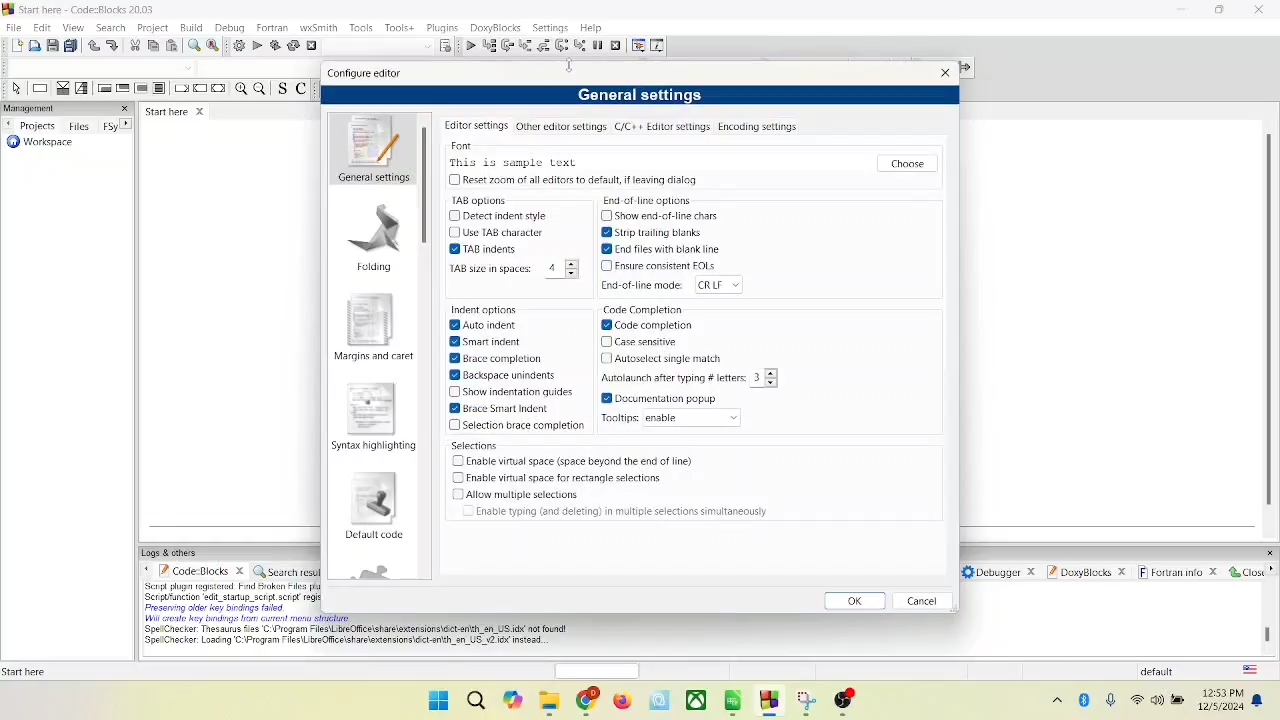 The height and width of the screenshot is (720, 1280). Describe the element at coordinates (442, 28) in the screenshot. I see `plugins` at that location.